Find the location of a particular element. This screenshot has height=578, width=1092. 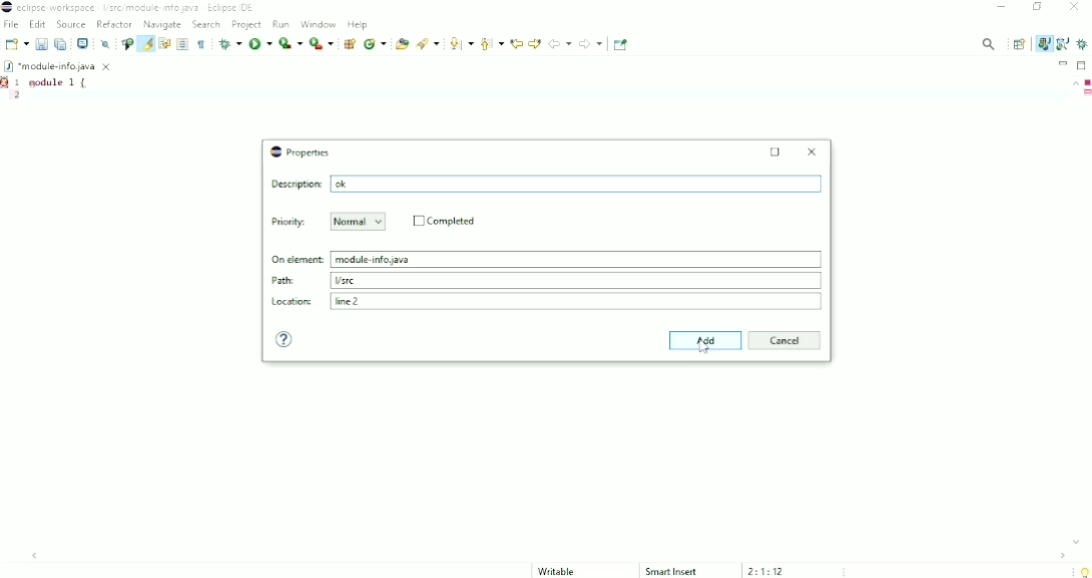

Toggle breadcrumb is located at coordinates (126, 44).